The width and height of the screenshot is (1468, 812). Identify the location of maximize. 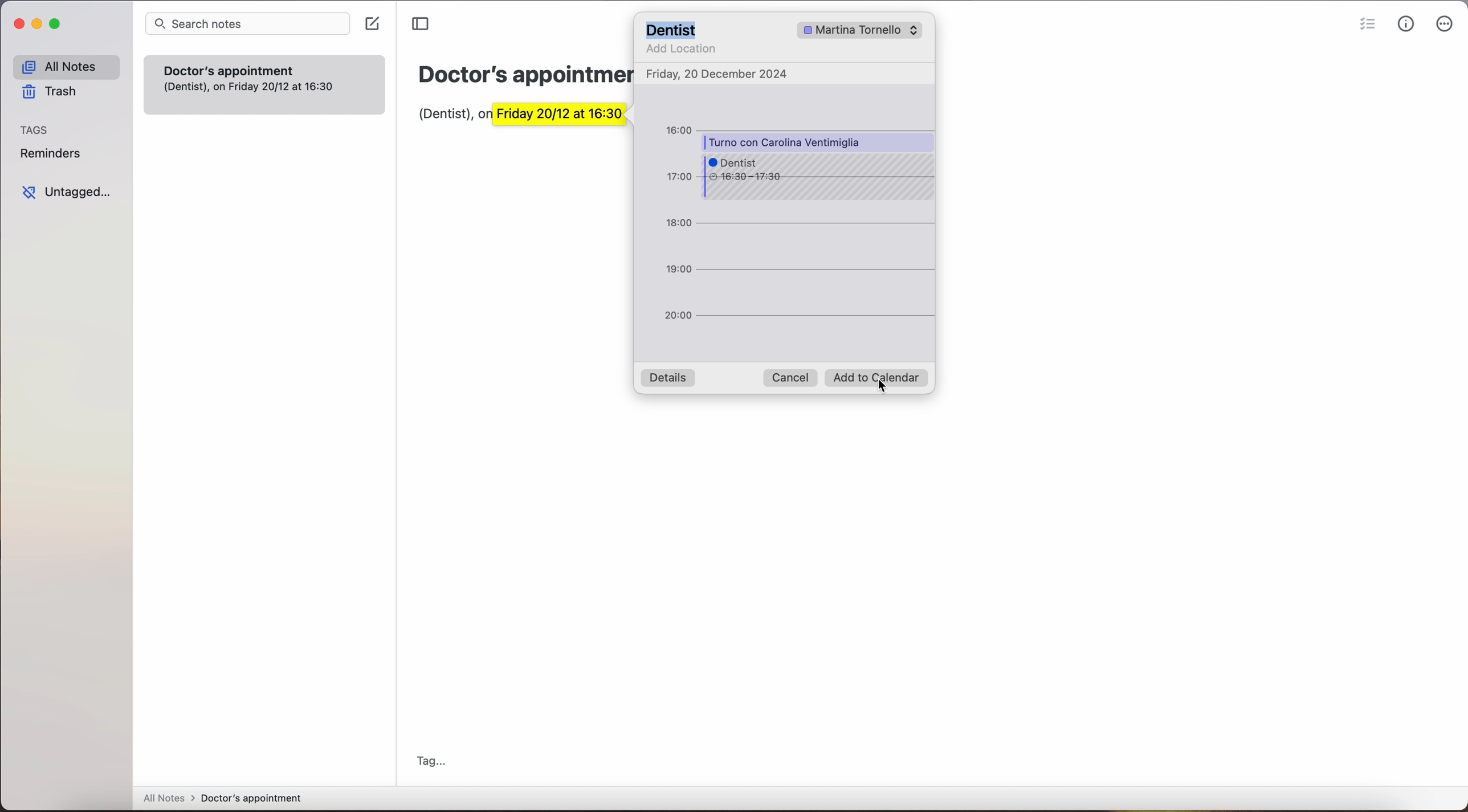
(58, 25).